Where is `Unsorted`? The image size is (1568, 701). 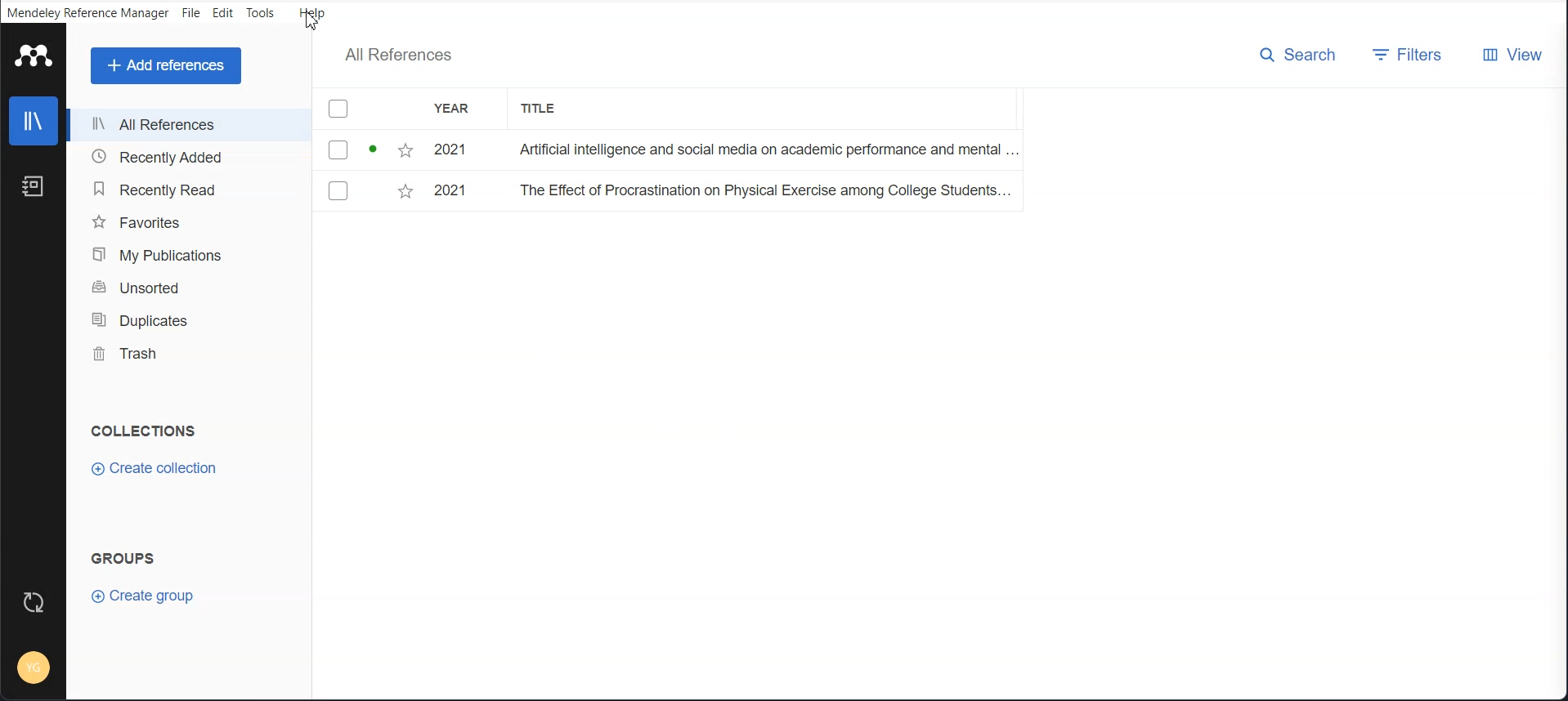
Unsorted is located at coordinates (182, 288).